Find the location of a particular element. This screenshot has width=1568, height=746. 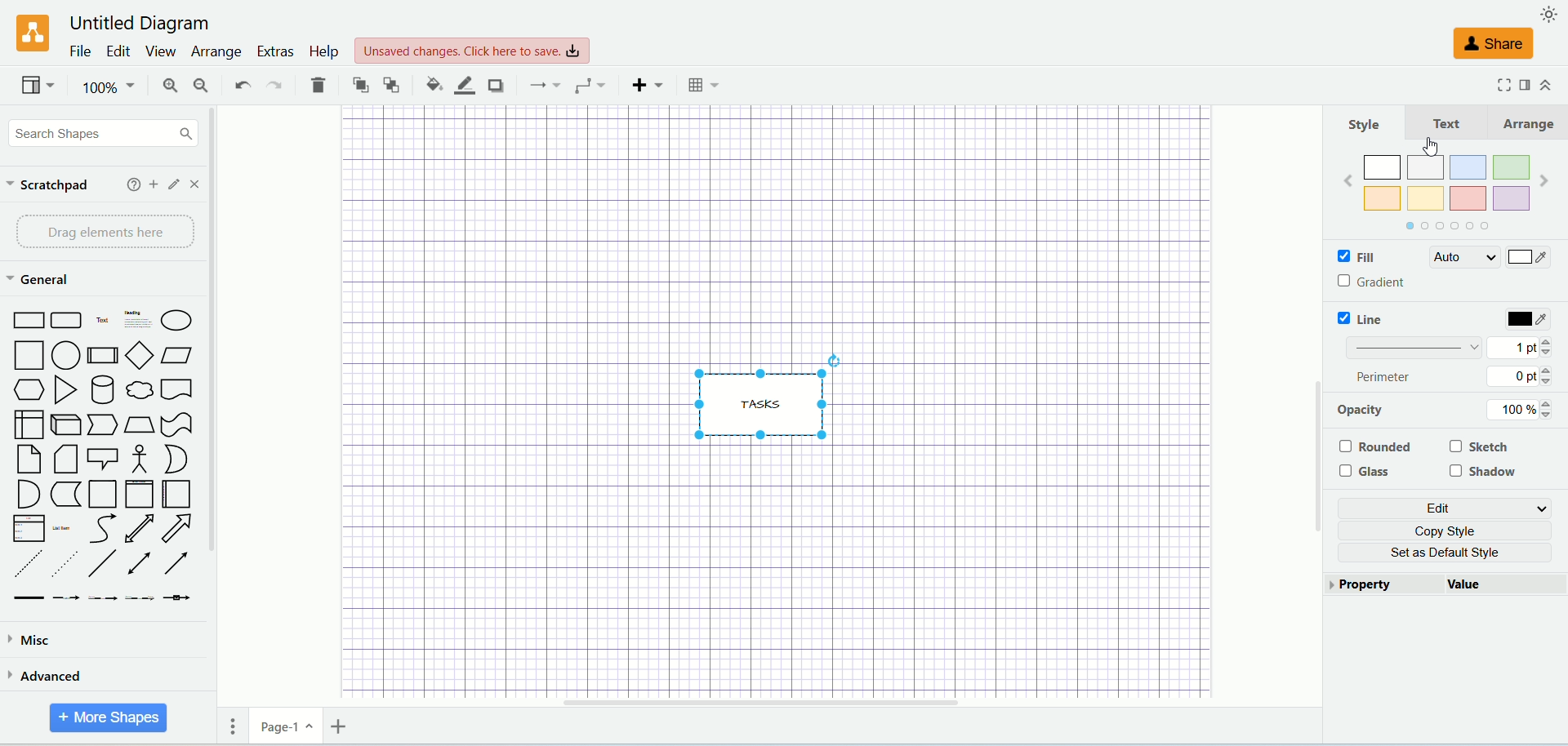

file is located at coordinates (78, 51).